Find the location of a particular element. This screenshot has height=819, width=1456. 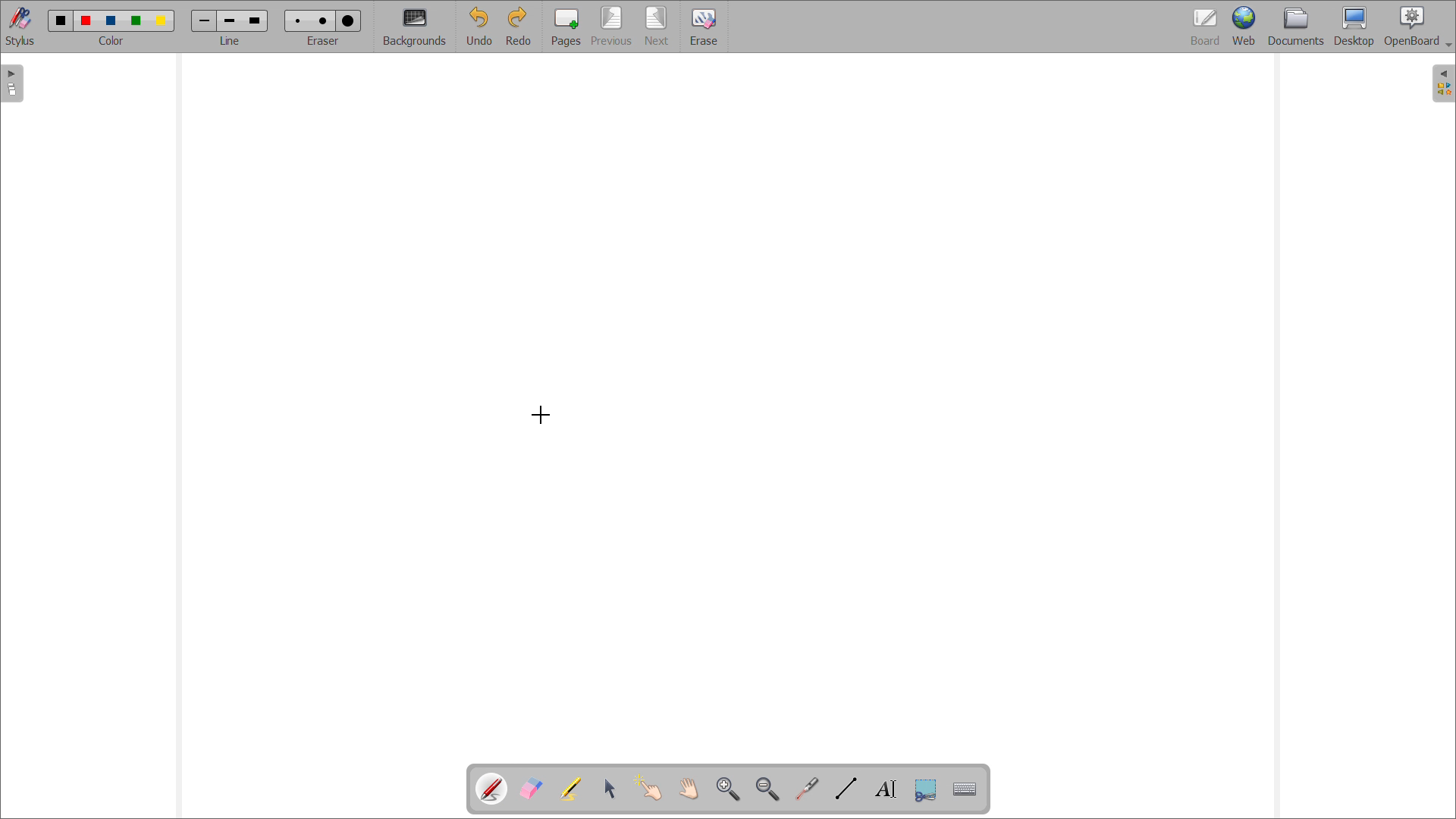

open folder view is located at coordinates (1443, 83).